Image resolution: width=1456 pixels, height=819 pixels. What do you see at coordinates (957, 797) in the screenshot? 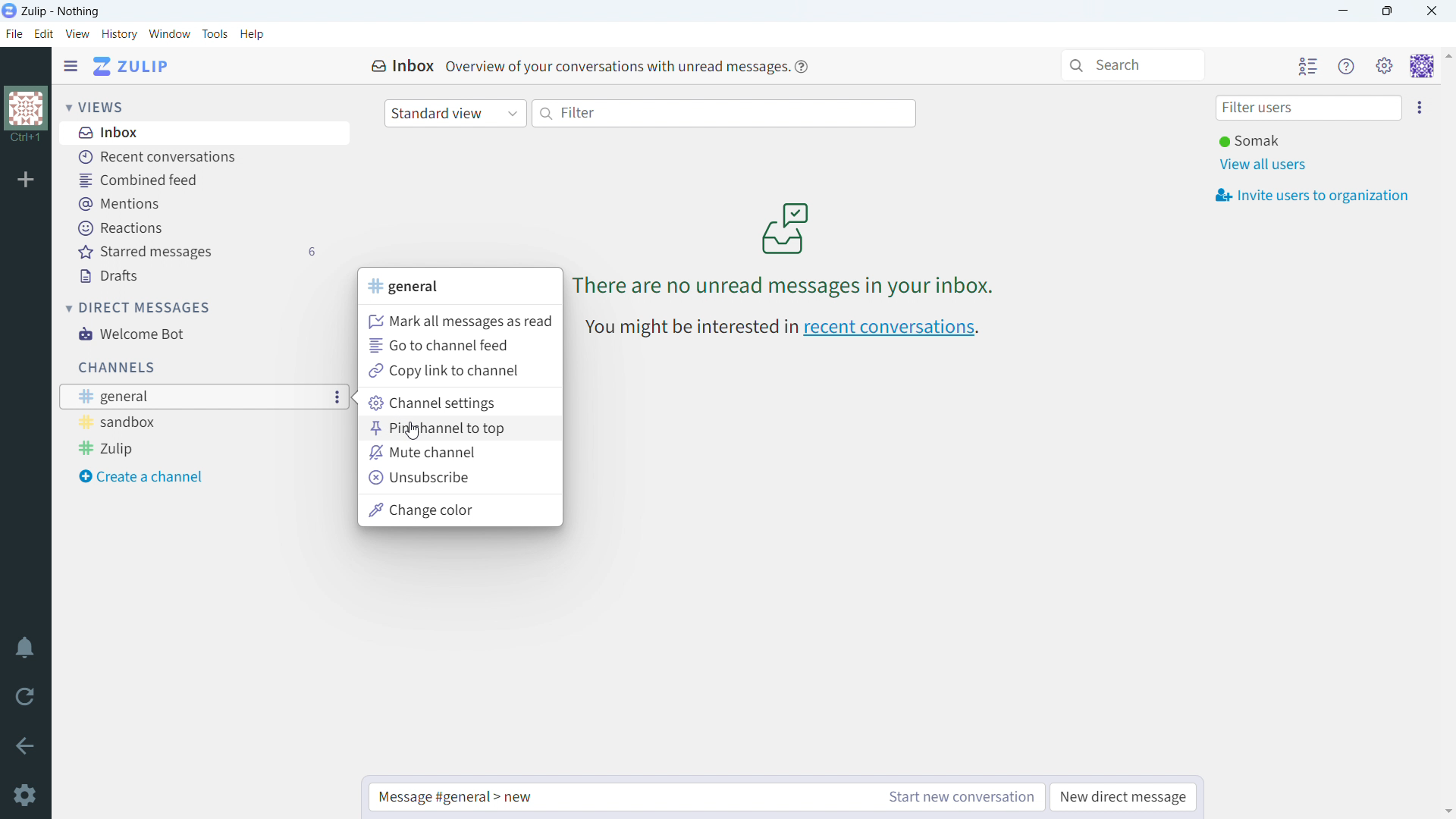
I see `start new conversation` at bounding box center [957, 797].